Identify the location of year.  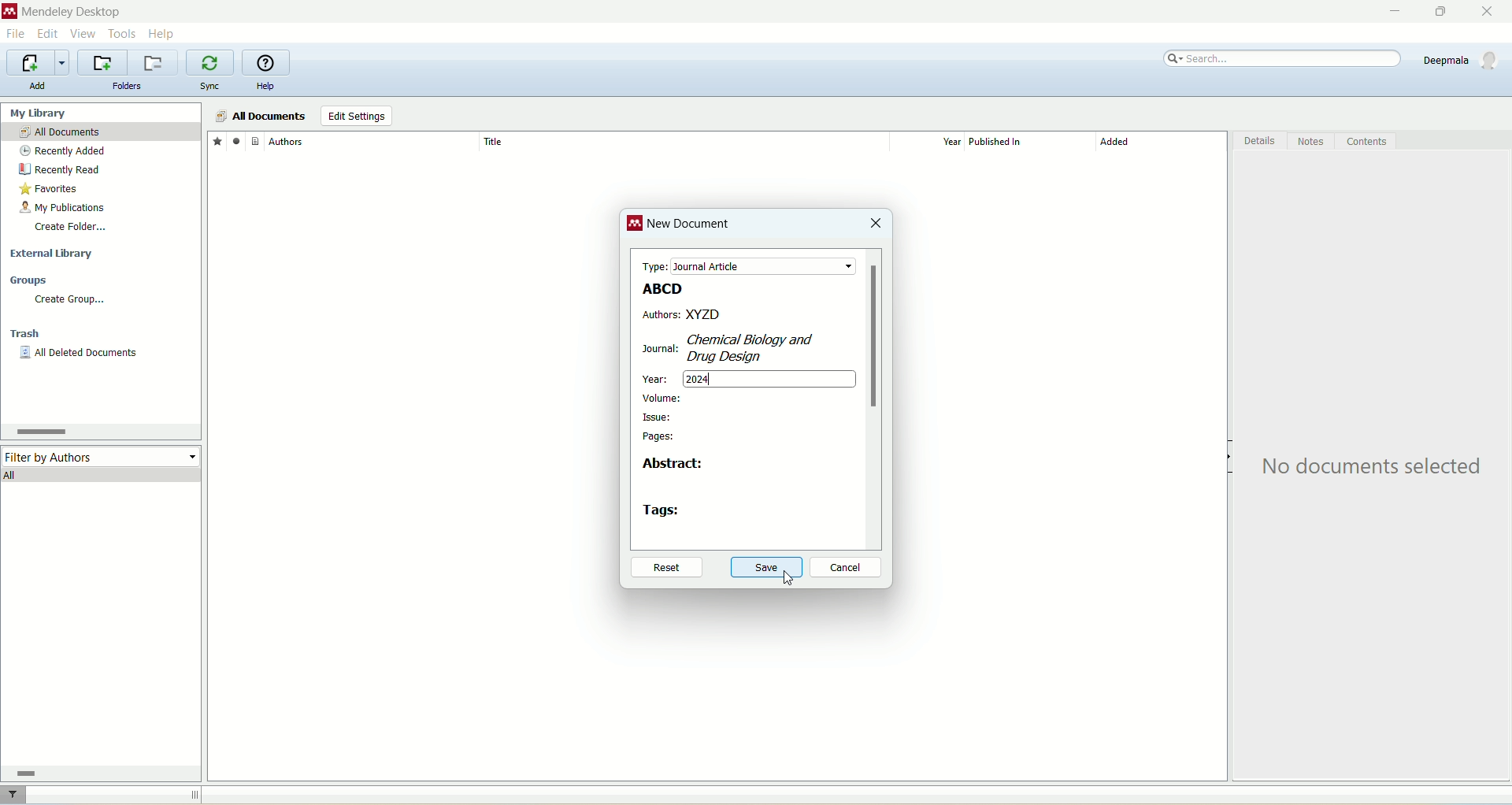
(658, 376).